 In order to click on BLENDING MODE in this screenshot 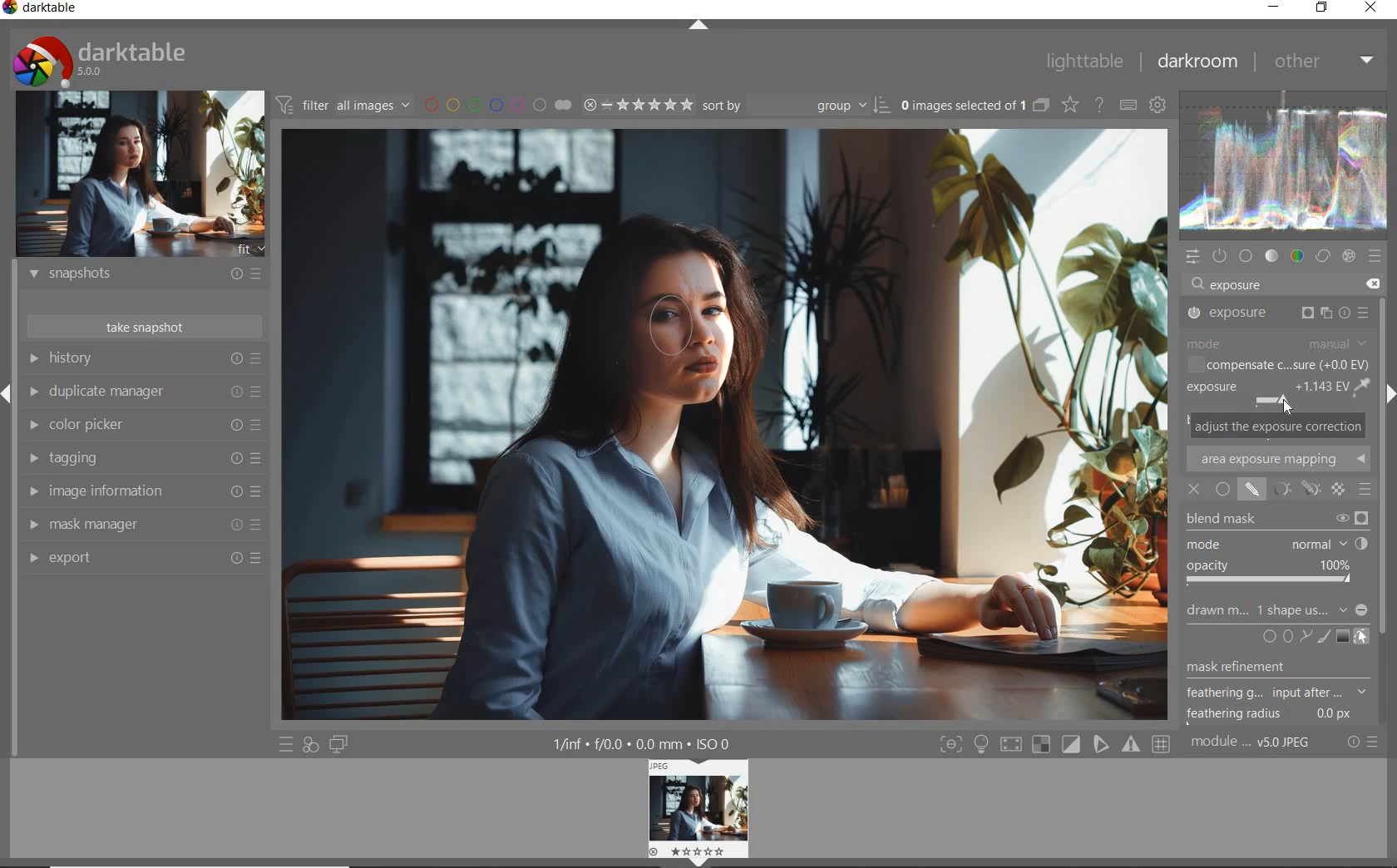, I will do `click(1365, 491)`.